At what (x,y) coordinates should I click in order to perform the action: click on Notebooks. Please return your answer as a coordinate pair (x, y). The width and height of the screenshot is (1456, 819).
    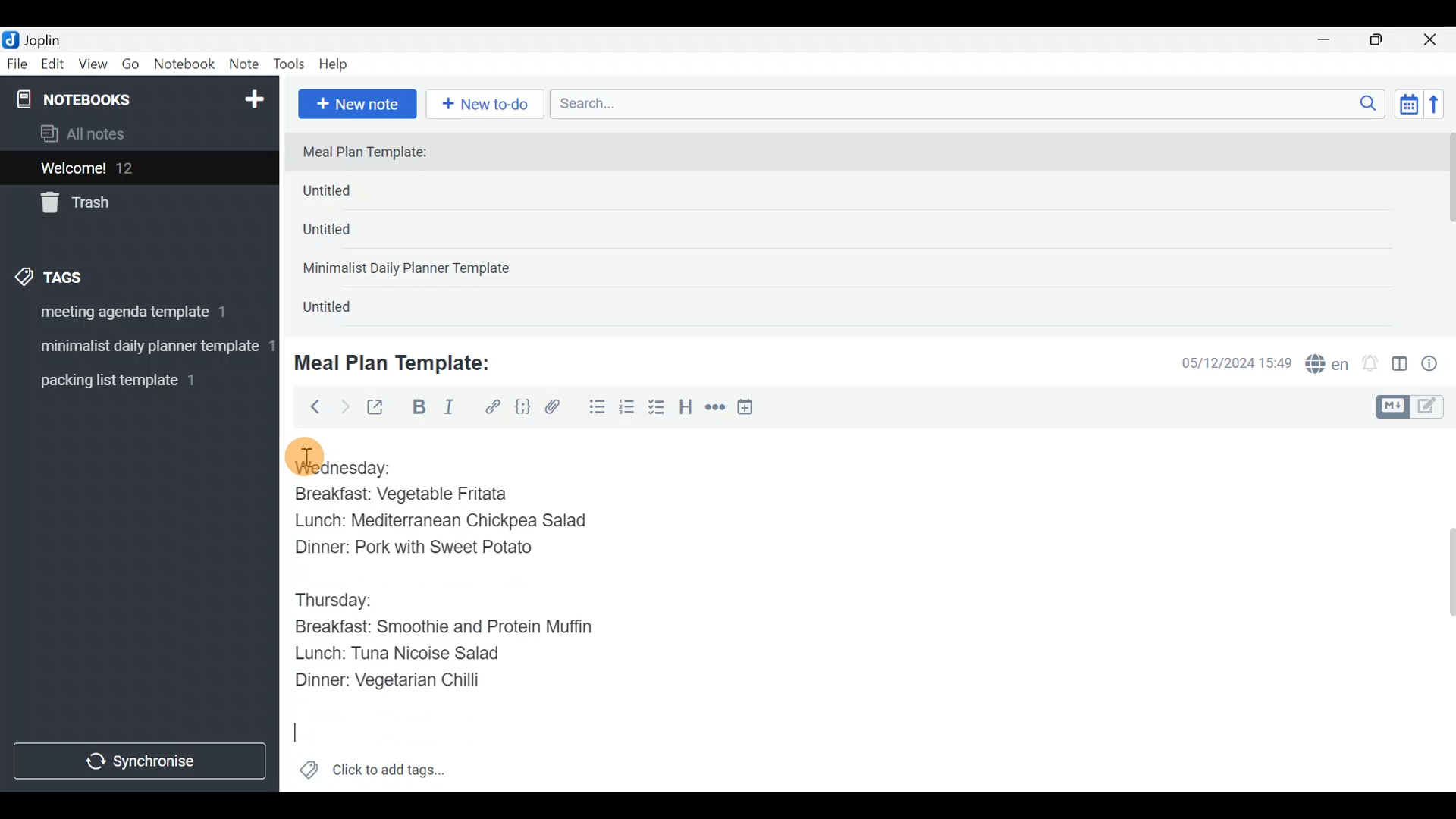
    Looking at the image, I should click on (107, 99).